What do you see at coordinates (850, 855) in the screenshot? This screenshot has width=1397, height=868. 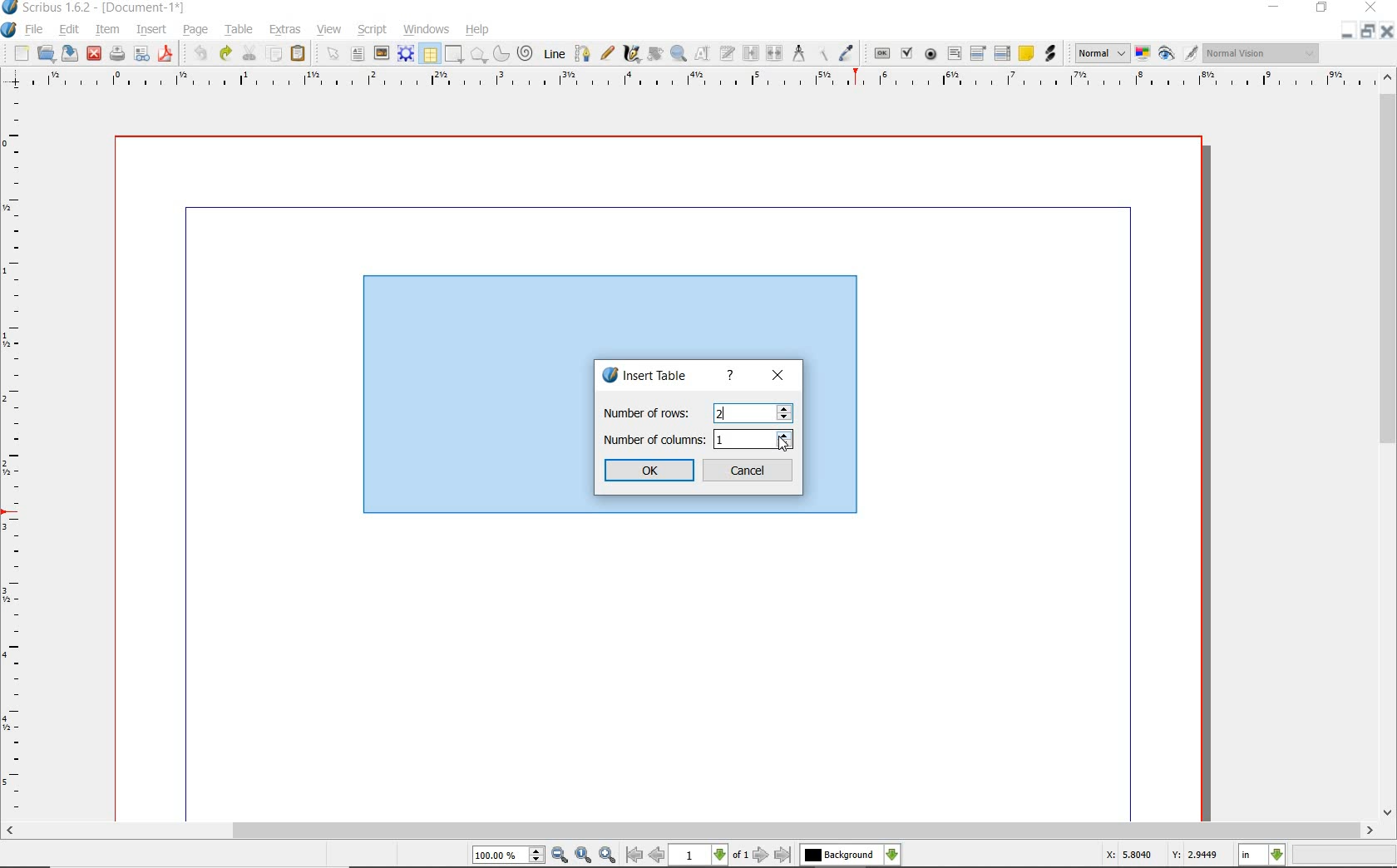 I see `select the current layer` at bounding box center [850, 855].